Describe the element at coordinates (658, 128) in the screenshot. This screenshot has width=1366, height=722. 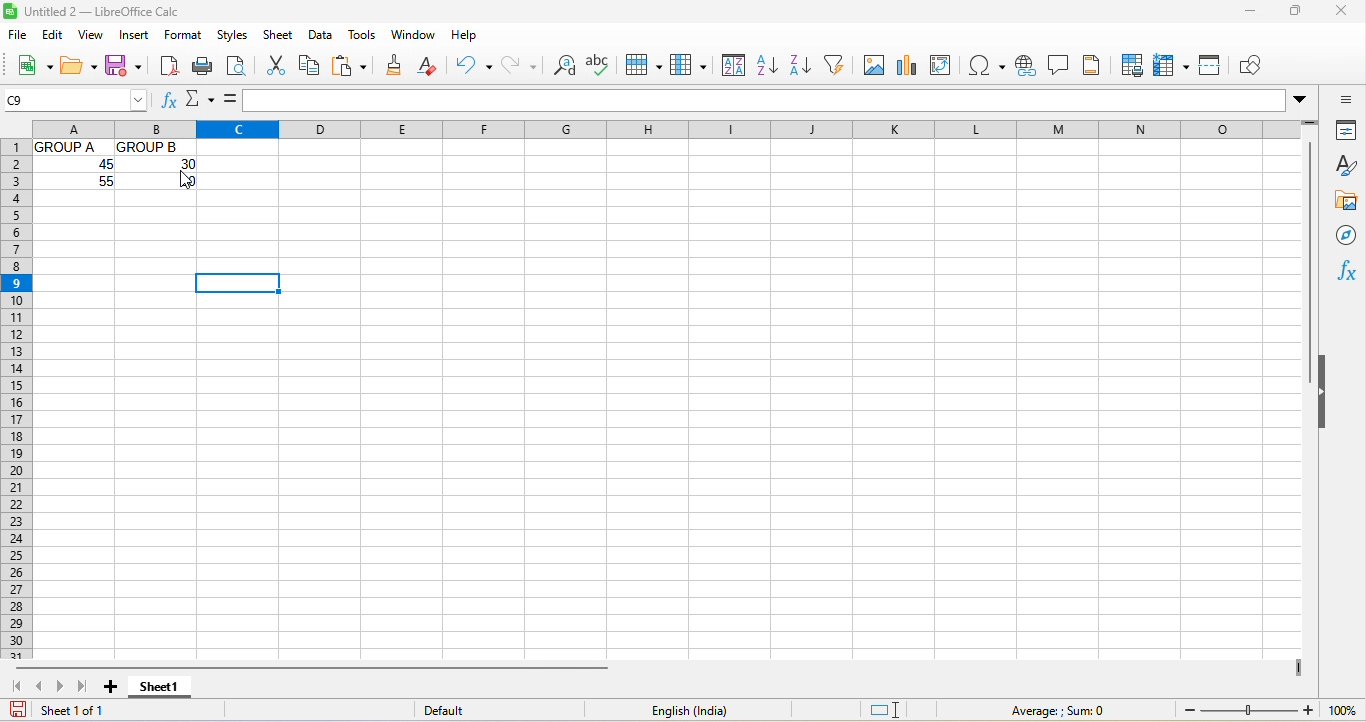
I see `column` at that location.